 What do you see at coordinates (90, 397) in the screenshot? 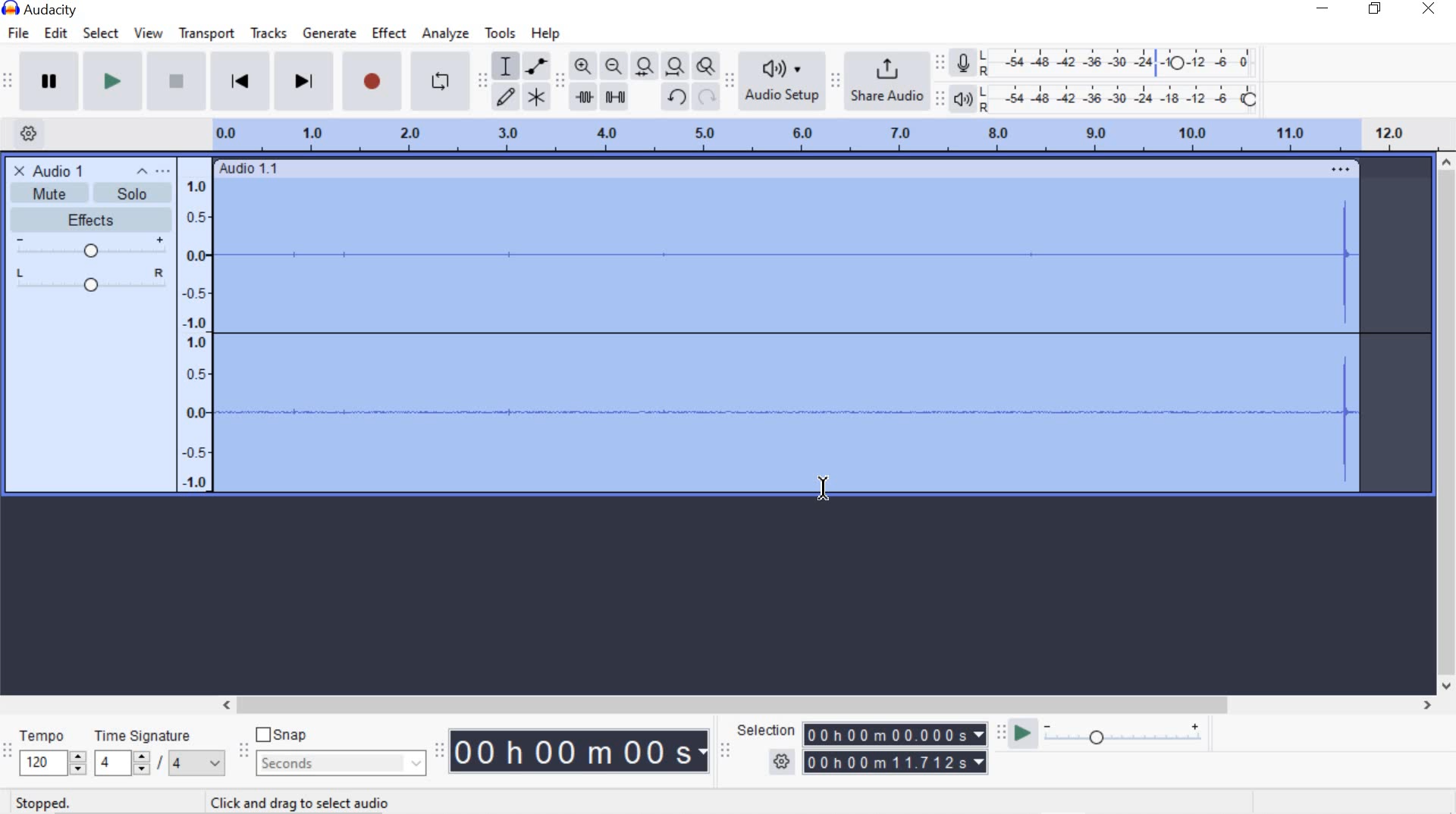
I see `Select or Deselect Track` at bounding box center [90, 397].